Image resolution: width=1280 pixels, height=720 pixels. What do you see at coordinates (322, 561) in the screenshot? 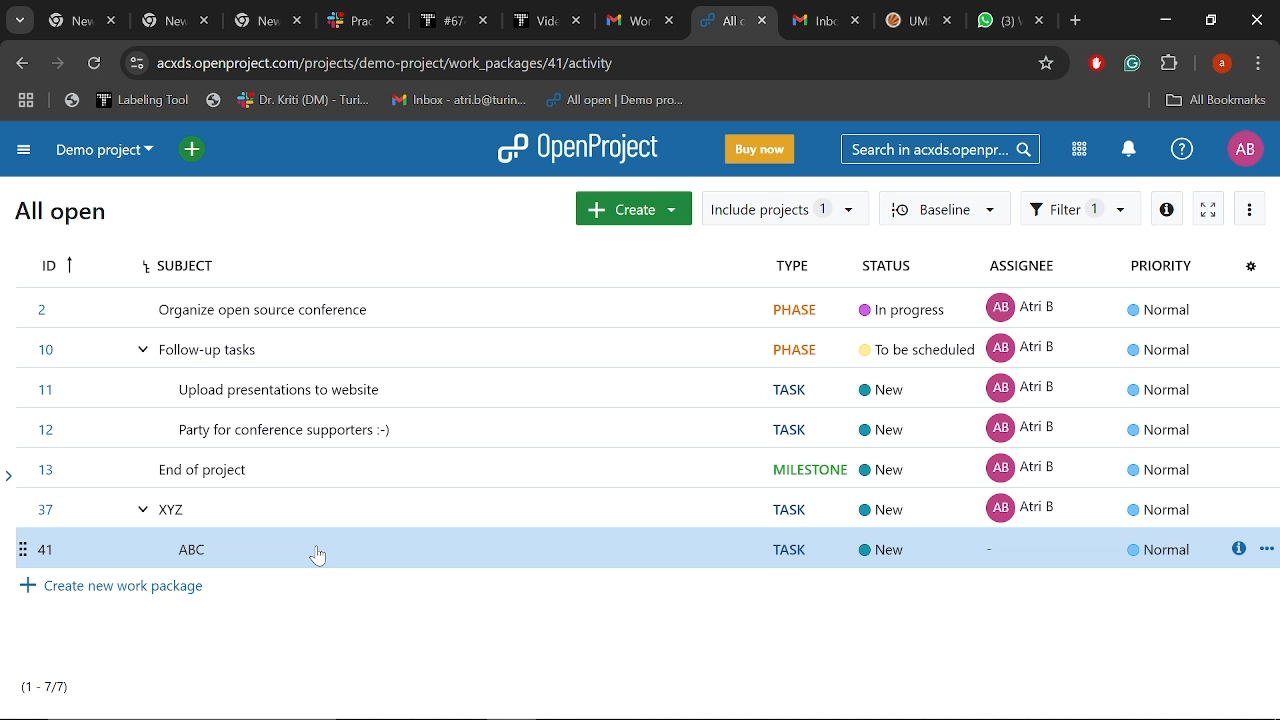
I see `cursor` at bounding box center [322, 561].